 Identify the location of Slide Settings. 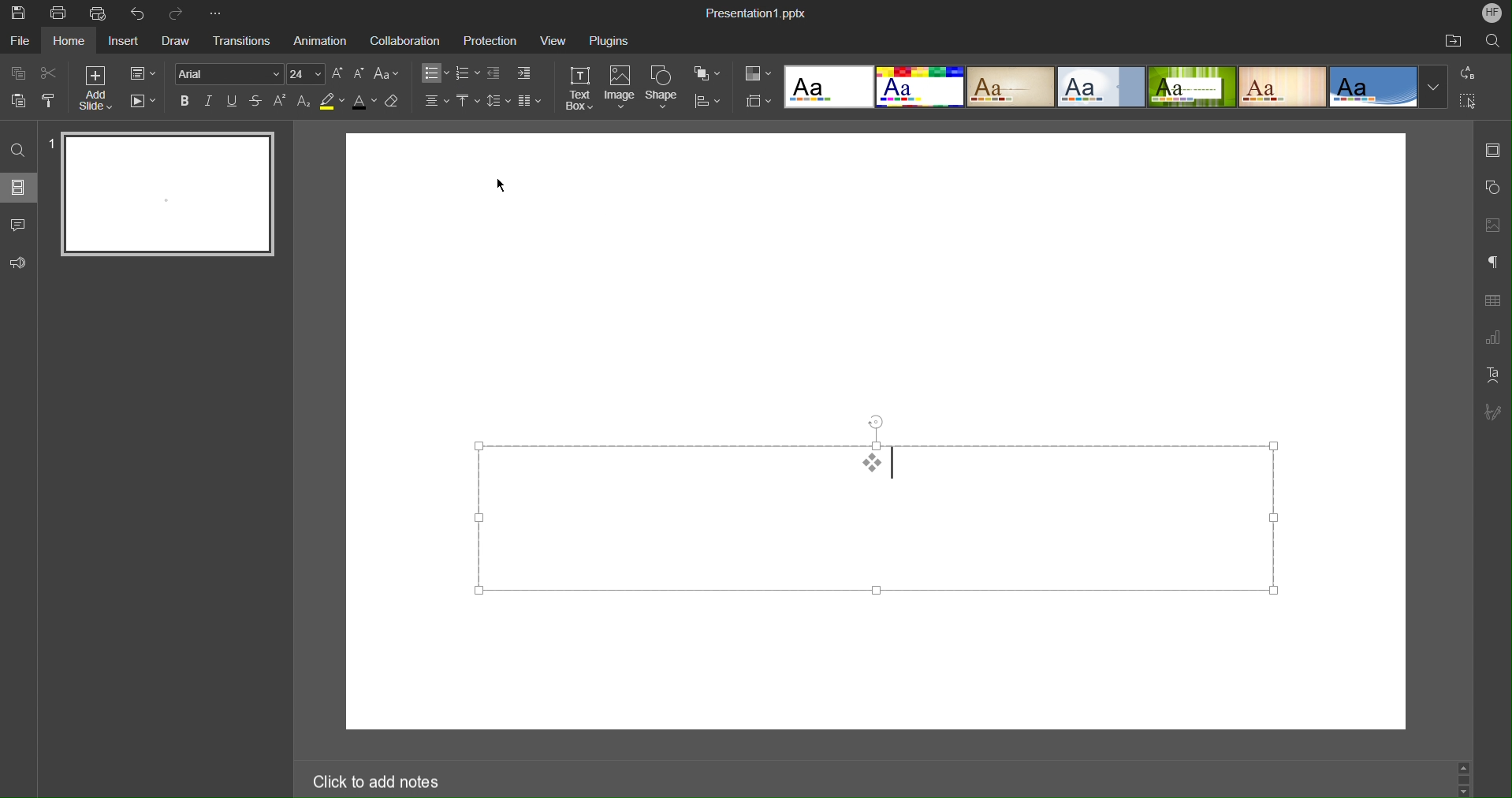
(143, 73).